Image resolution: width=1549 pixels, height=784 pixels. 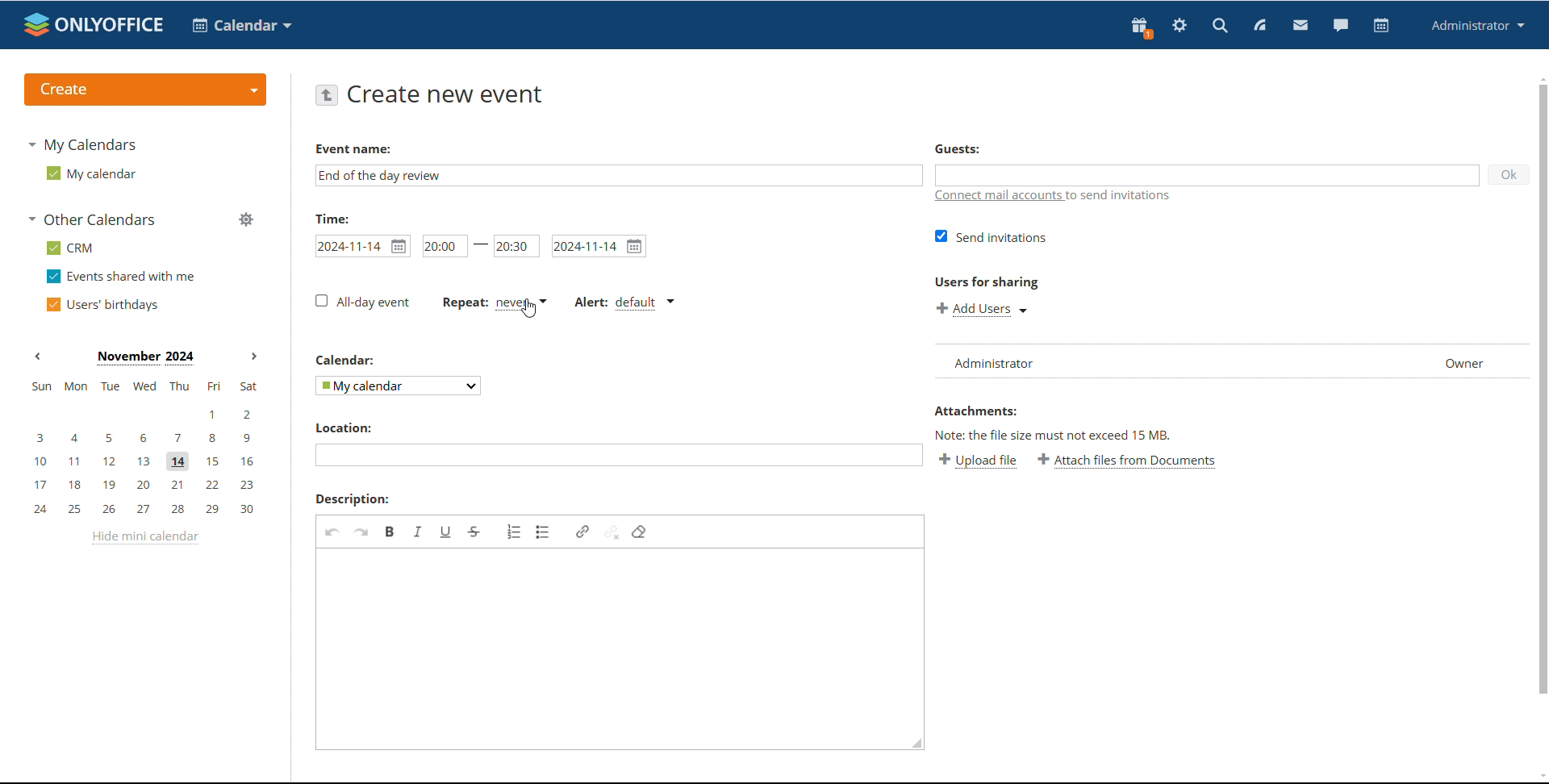 I want to click on 10, 11, 12, 13, 14, 15, 16, so click(x=148, y=462).